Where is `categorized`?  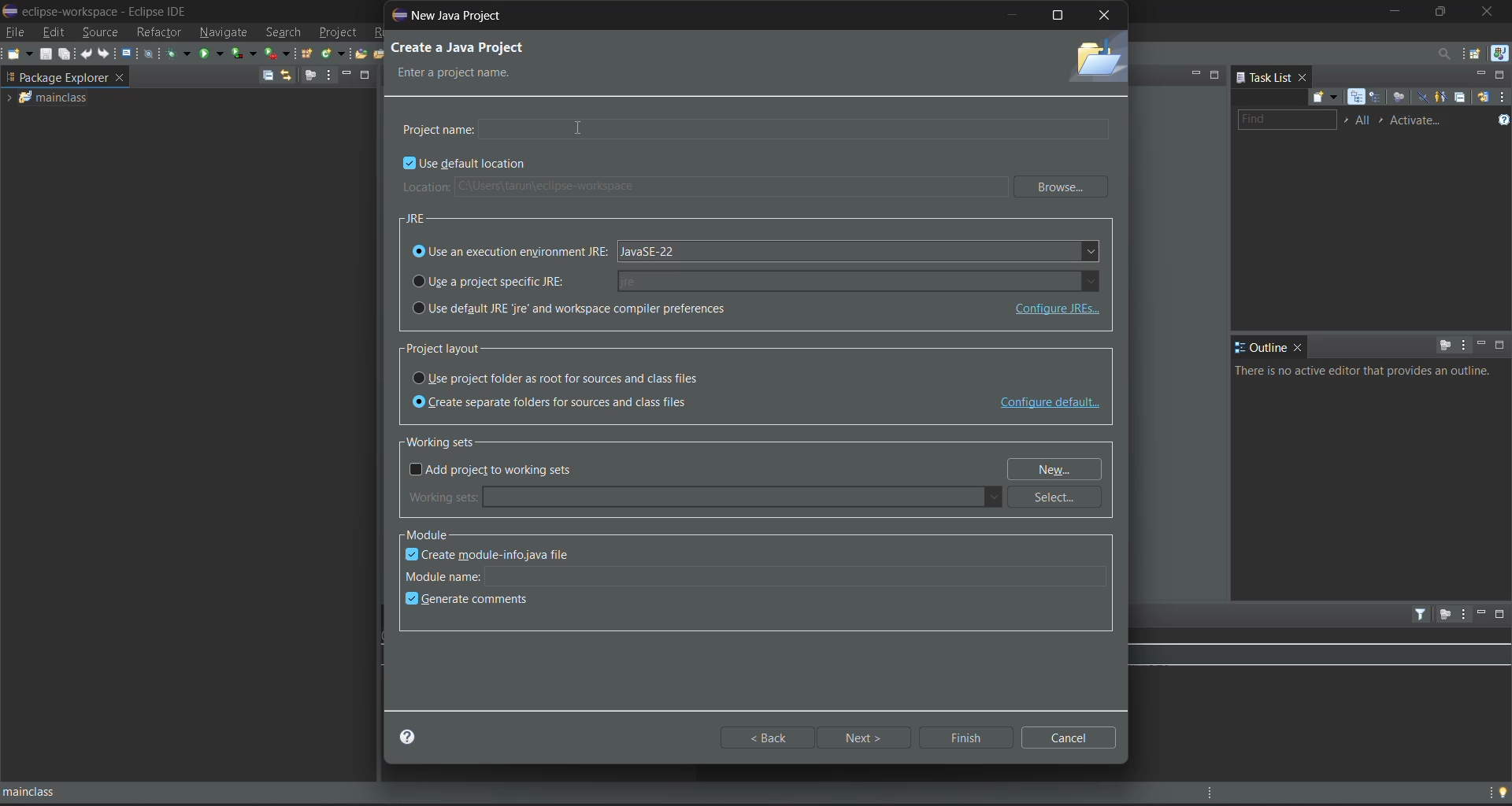 categorized is located at coordinates (1358, 97).